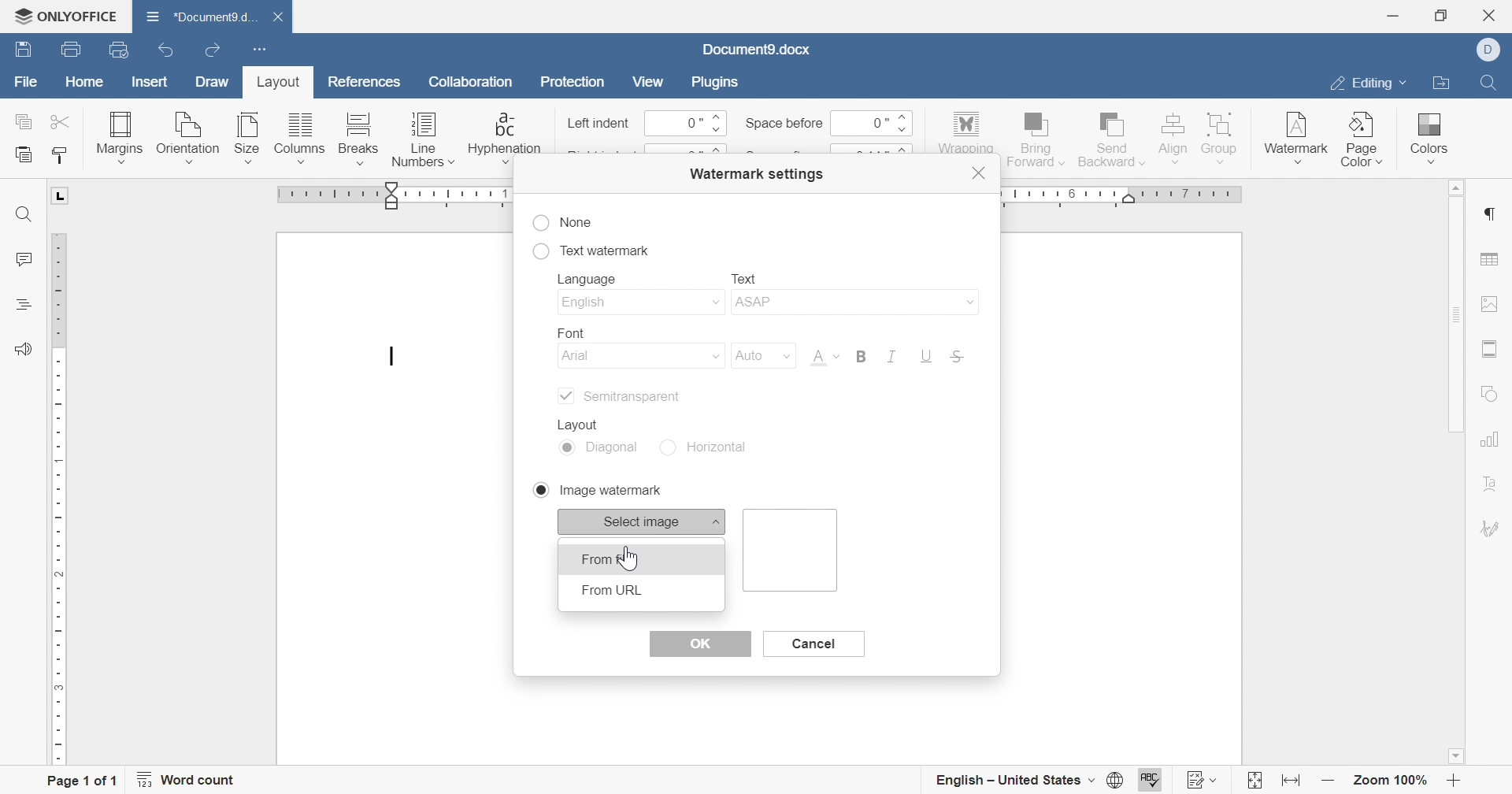 Image resolution: width=1512 pixels, height=794 pixels. What do you see at coordinates (1491, 484) in the screenshot?
I see `text art settigns` at bounding box center [1491, 484].